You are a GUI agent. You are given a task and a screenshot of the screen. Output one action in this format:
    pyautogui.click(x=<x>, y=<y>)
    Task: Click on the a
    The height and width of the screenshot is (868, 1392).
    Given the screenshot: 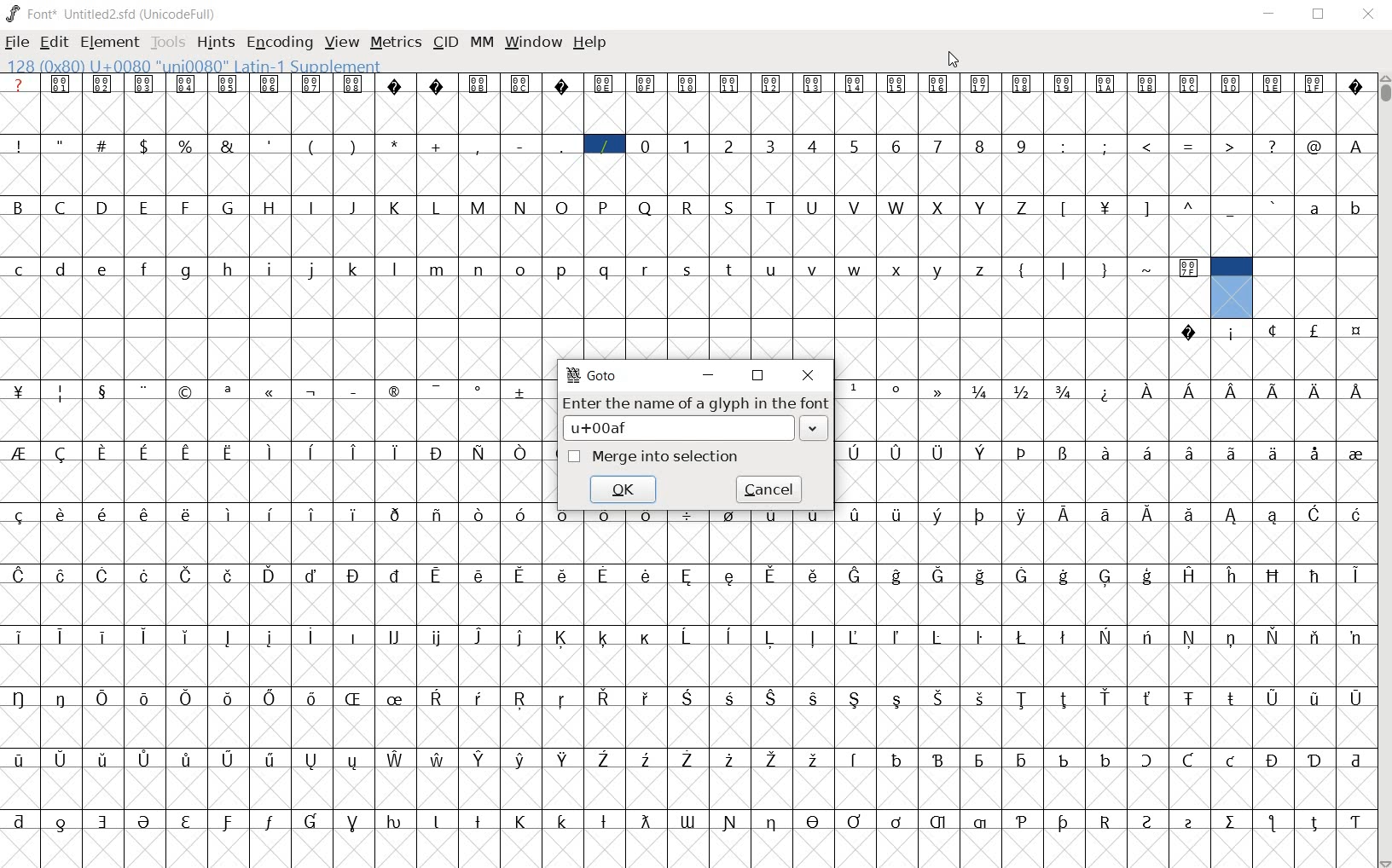 What is the action you would take?
    pyautogui.click(x=1315, y=209)
    